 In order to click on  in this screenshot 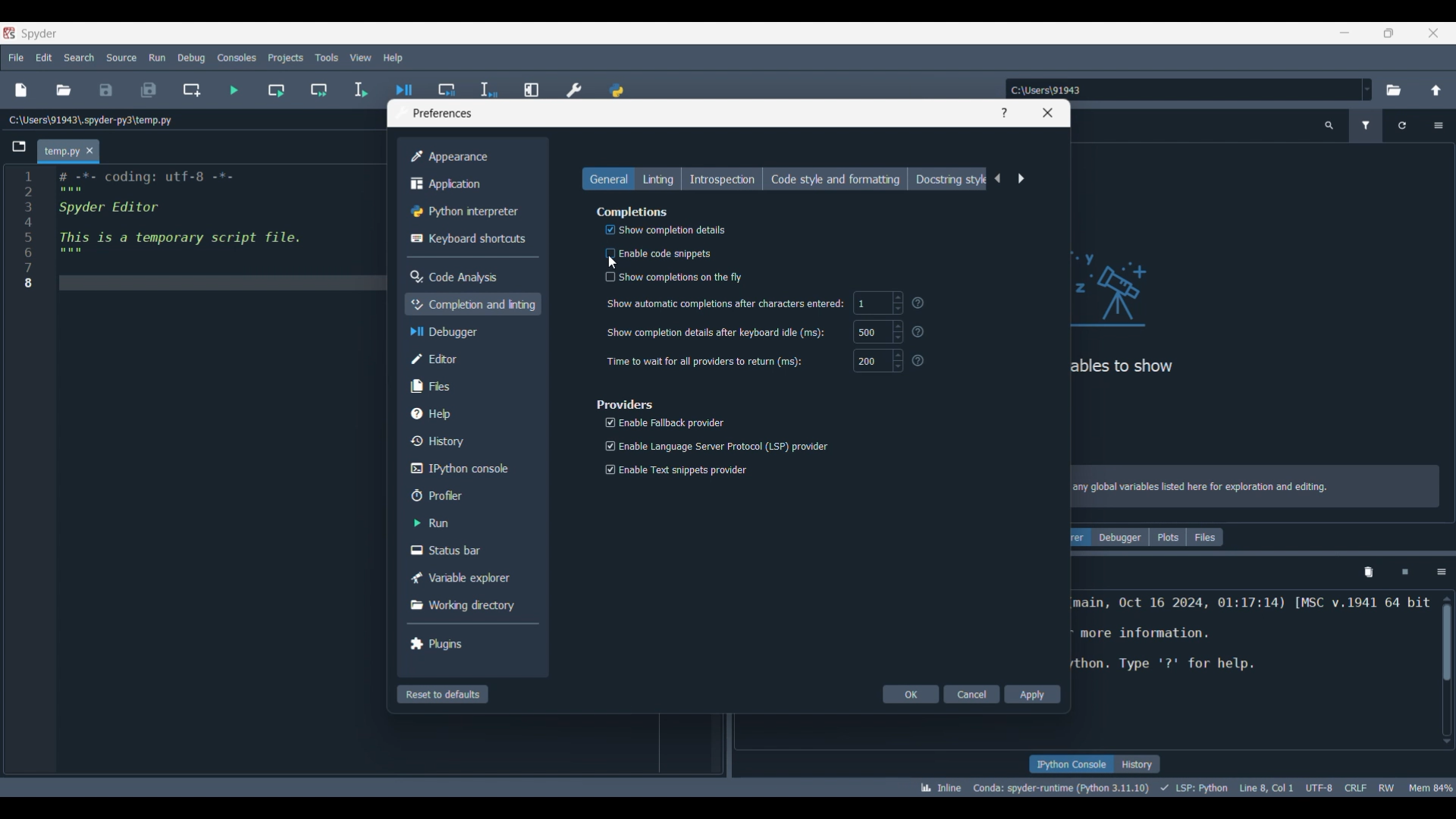, I will do `click(922, 304)`.